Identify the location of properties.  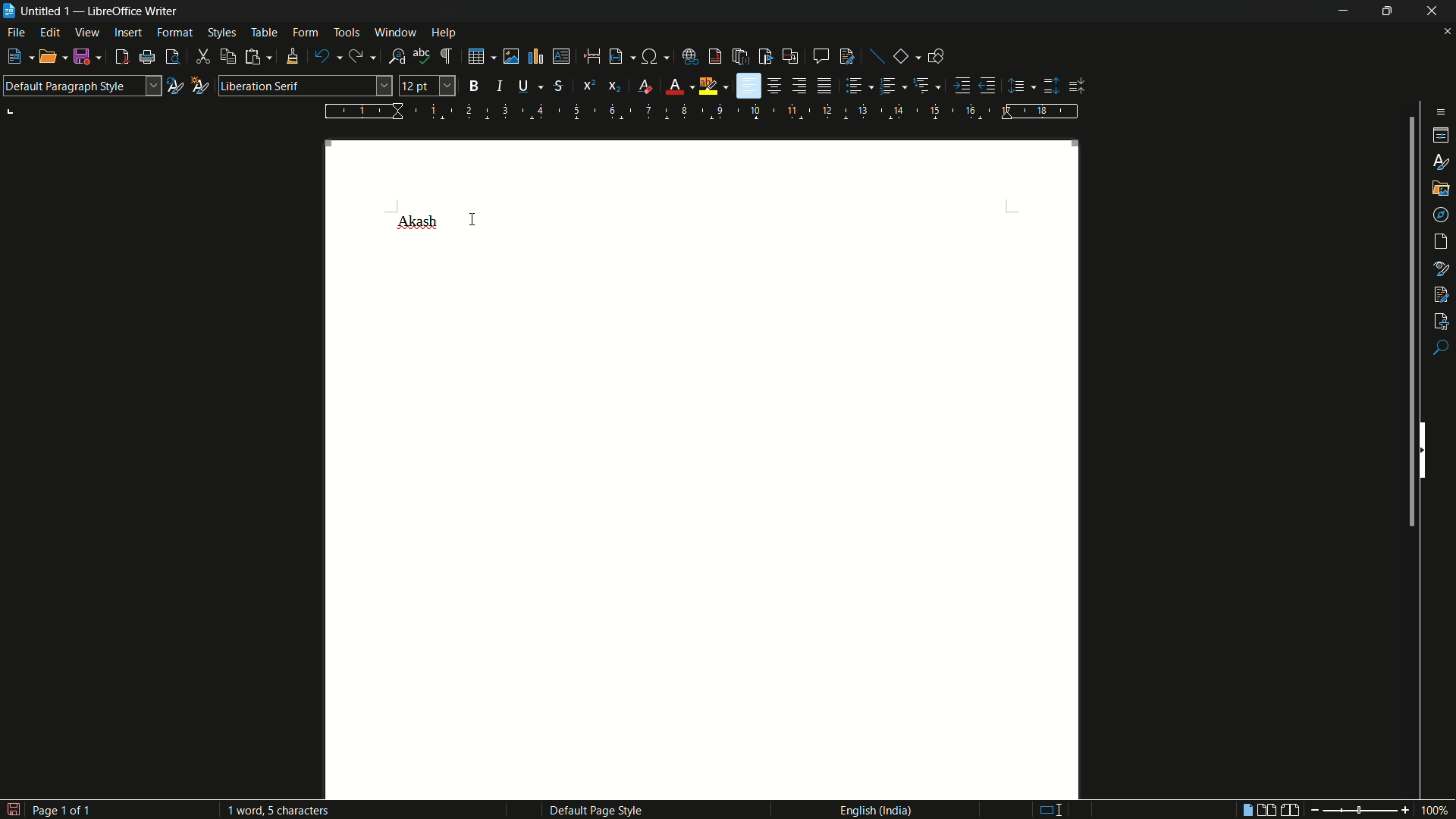
(1442, 136).